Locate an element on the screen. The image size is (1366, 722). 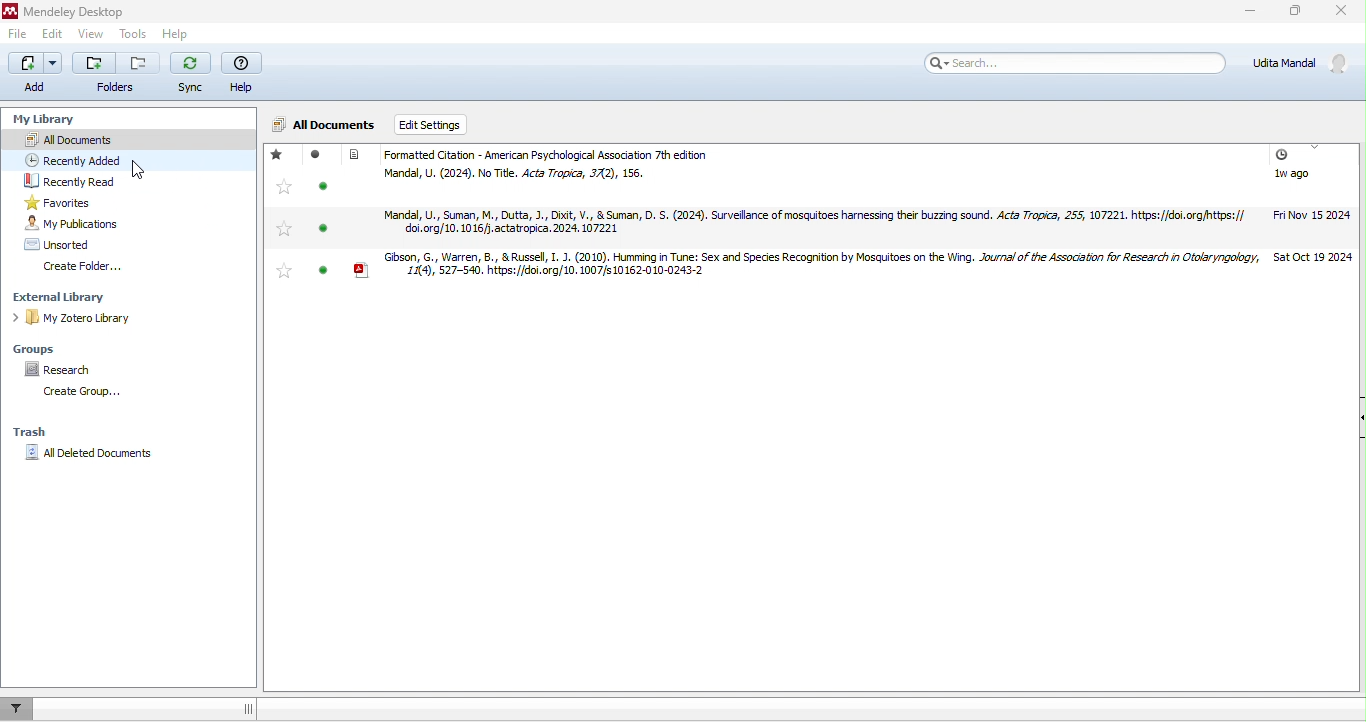
search is located at coordinates (1077, 62).